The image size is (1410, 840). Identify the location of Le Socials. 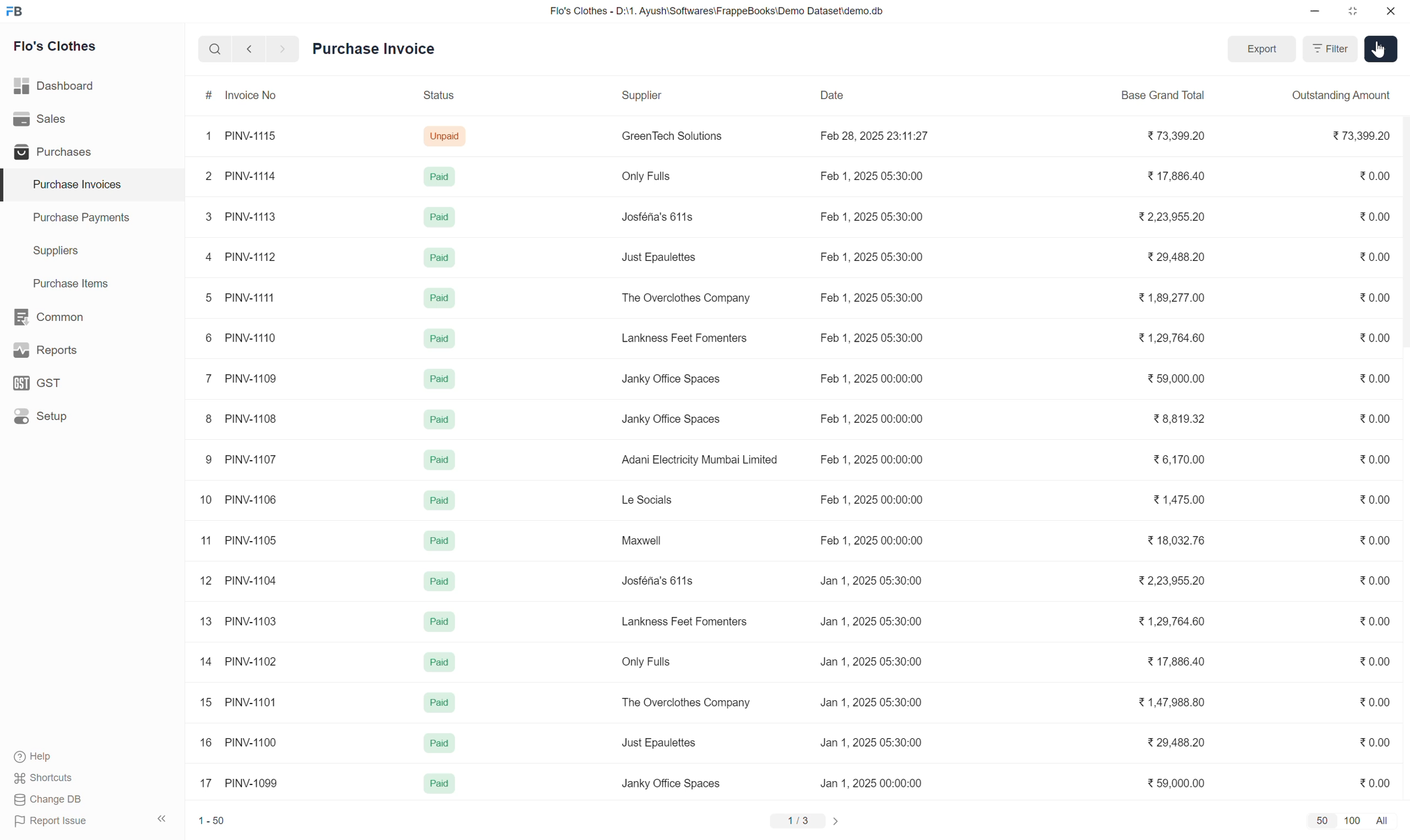
(647, 501).